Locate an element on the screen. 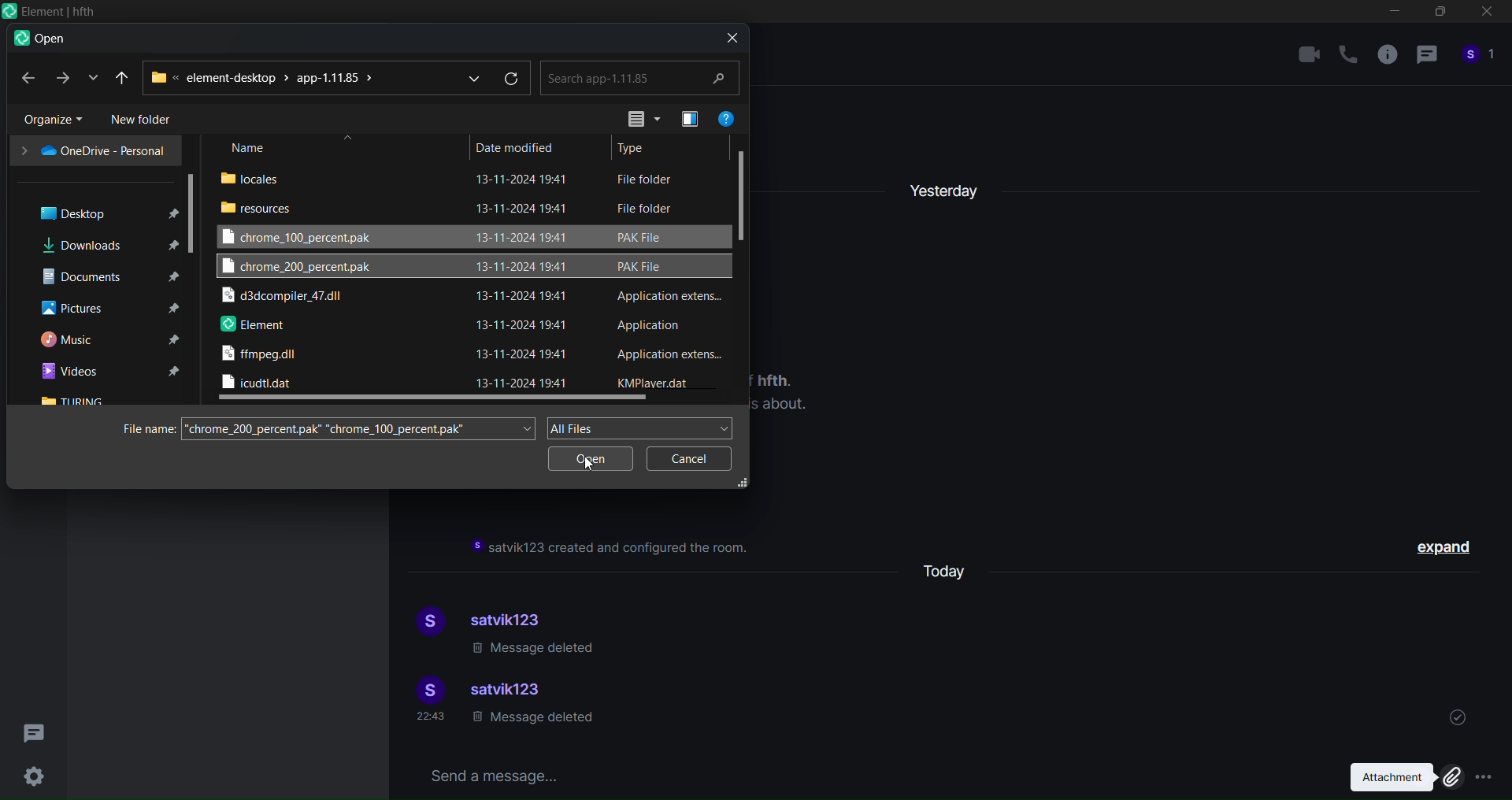 The width and height of the screenshot is (1512, 800). close dialog is located at coordinates (728, 37).